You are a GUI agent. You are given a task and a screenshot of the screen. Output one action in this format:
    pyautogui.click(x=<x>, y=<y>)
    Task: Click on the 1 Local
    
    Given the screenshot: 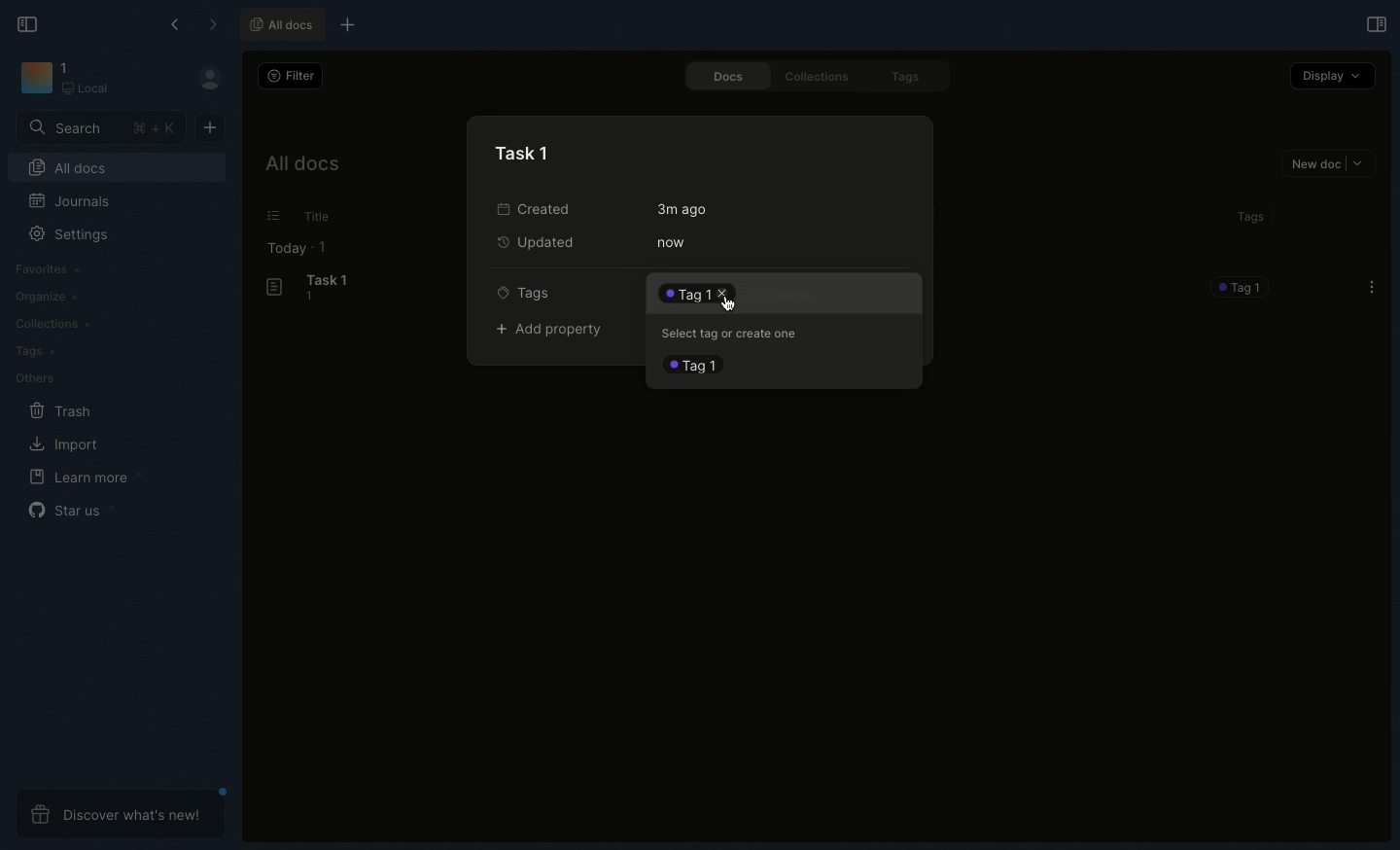 What is the action you would take?
    pyautogui.click(x=87, y=78)
    